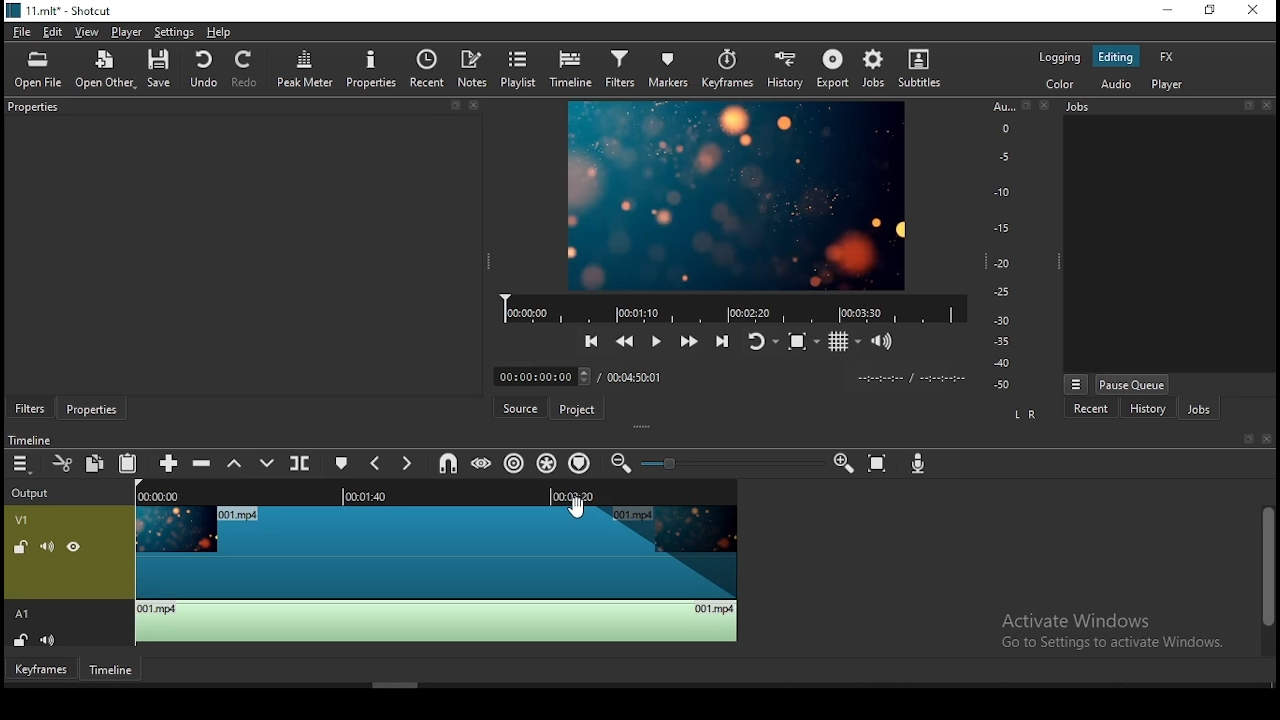  I want to click on redo, so click(246, 70).